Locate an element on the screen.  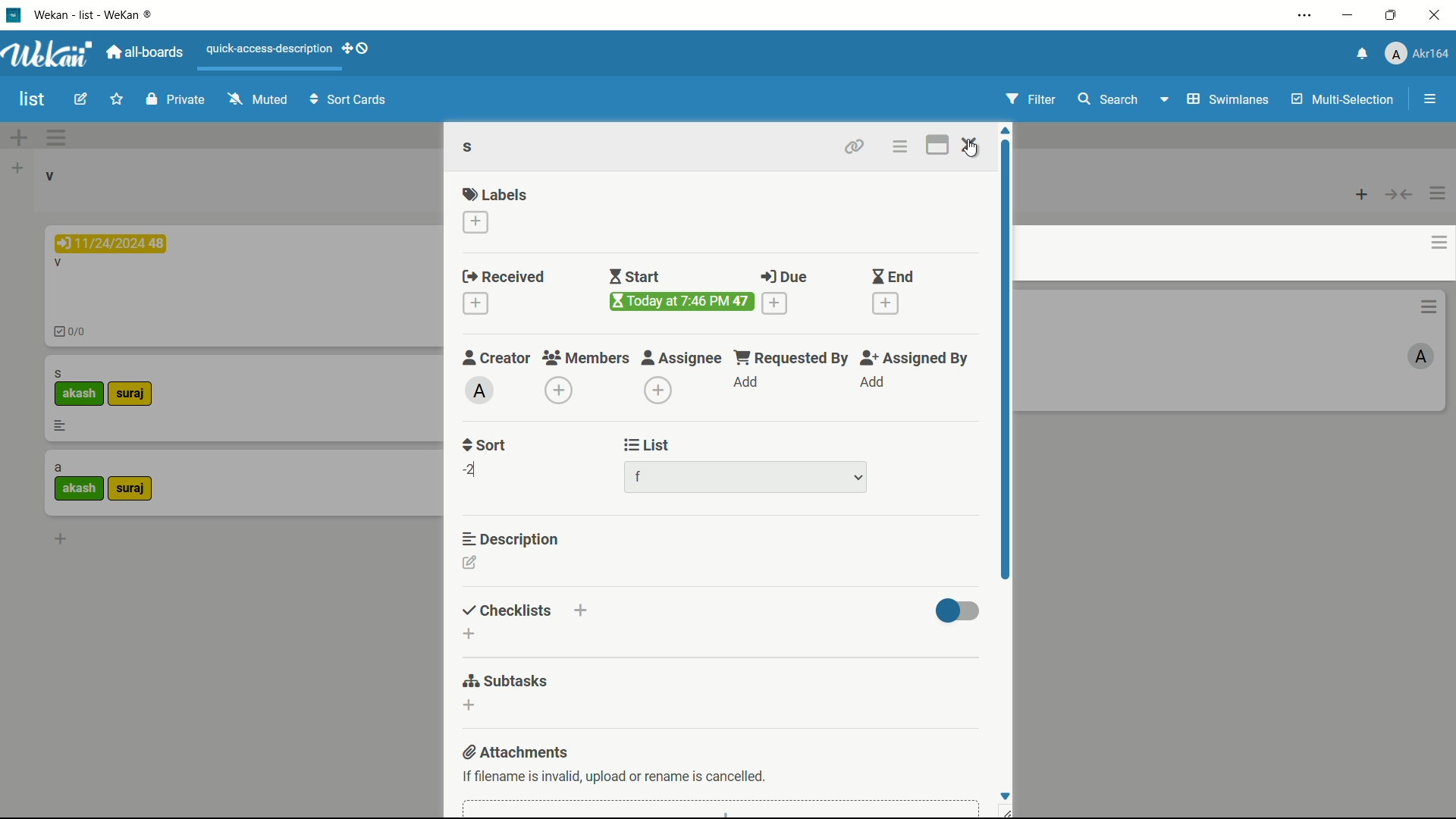
card name is located at coordinates (471, 149).